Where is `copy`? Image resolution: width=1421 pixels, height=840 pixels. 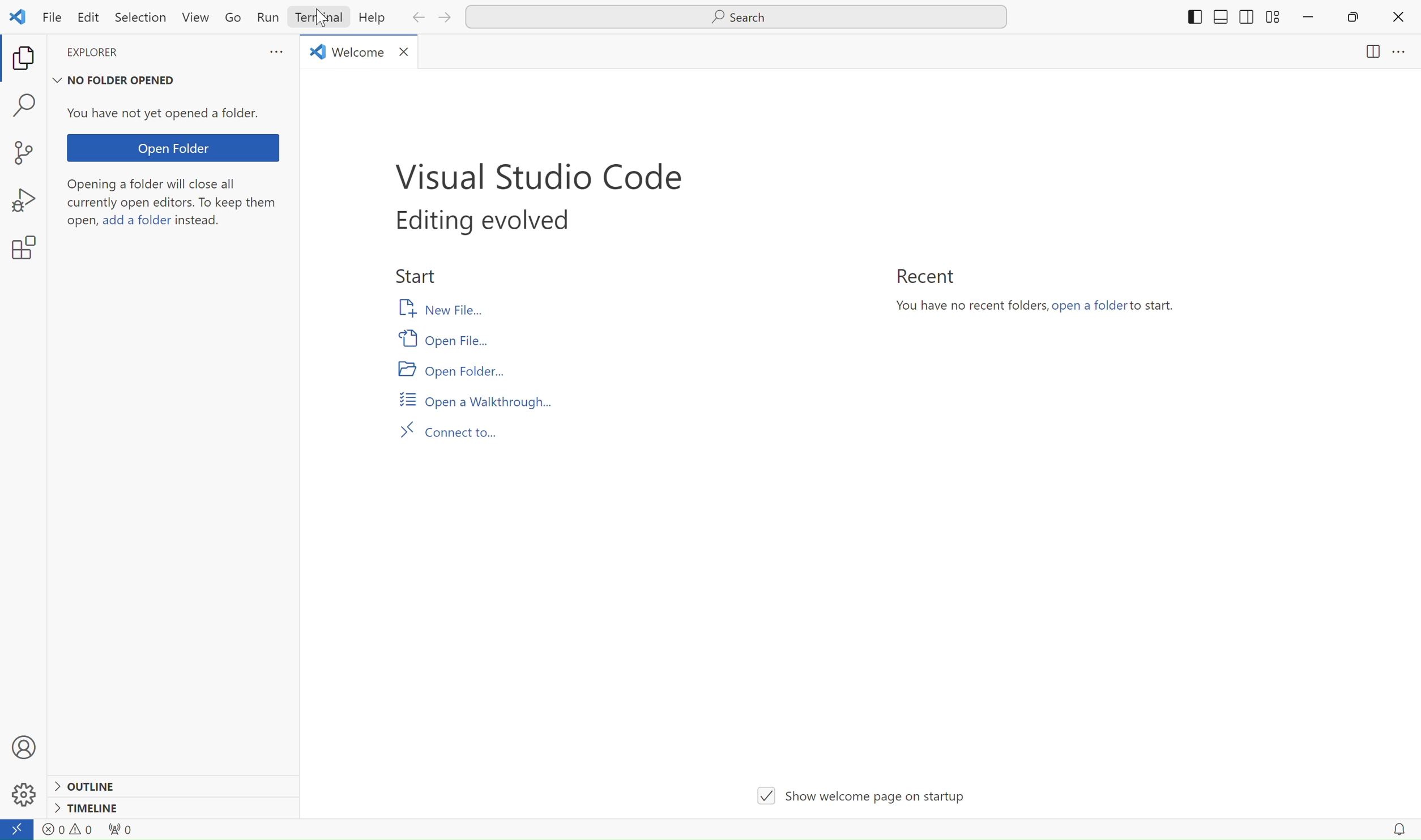 copy is located at coordinates (26, 59).